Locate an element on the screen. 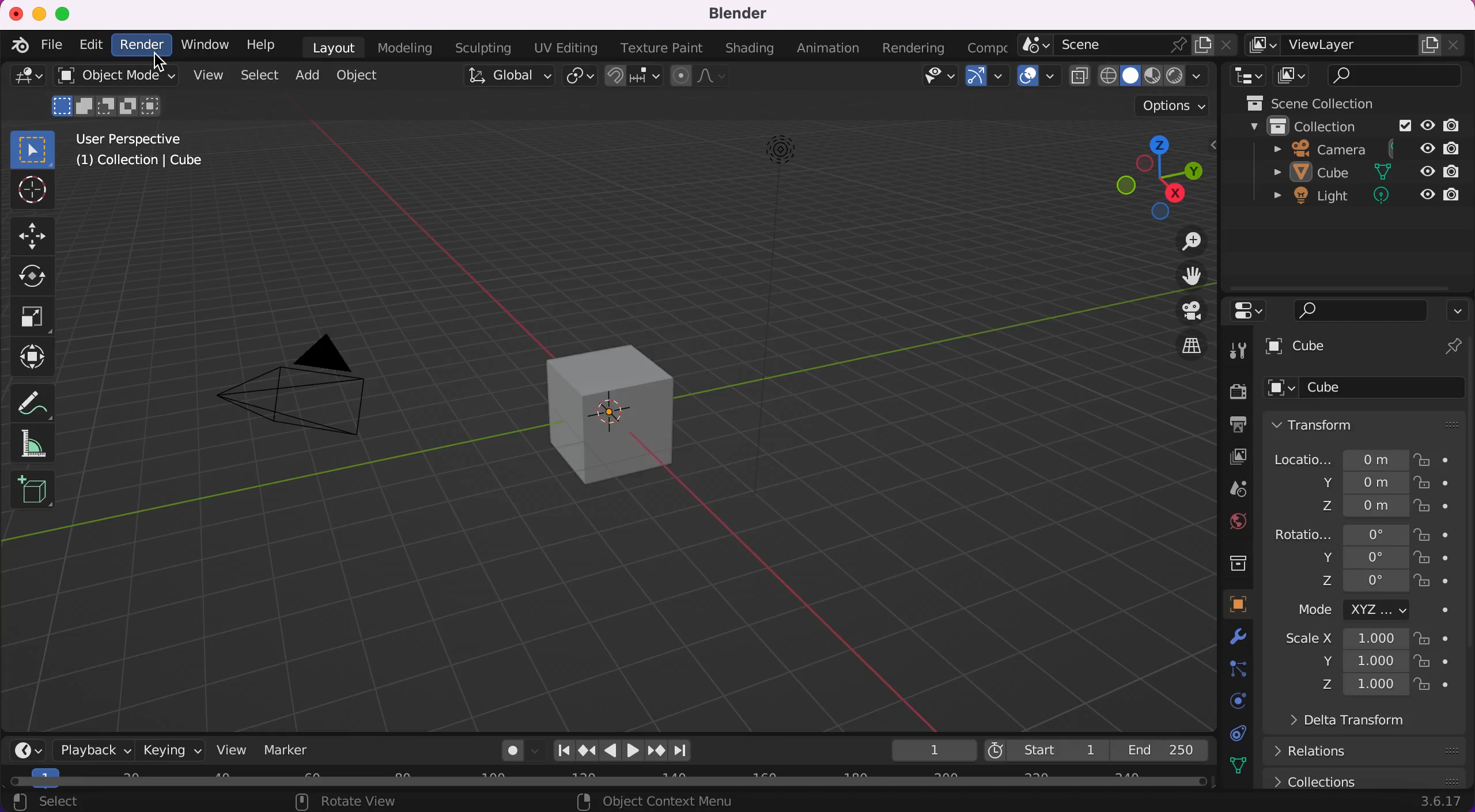 Image resolution: width=1475 pixels, height=812 pixels. camera is located at coordinates (1317, 150).